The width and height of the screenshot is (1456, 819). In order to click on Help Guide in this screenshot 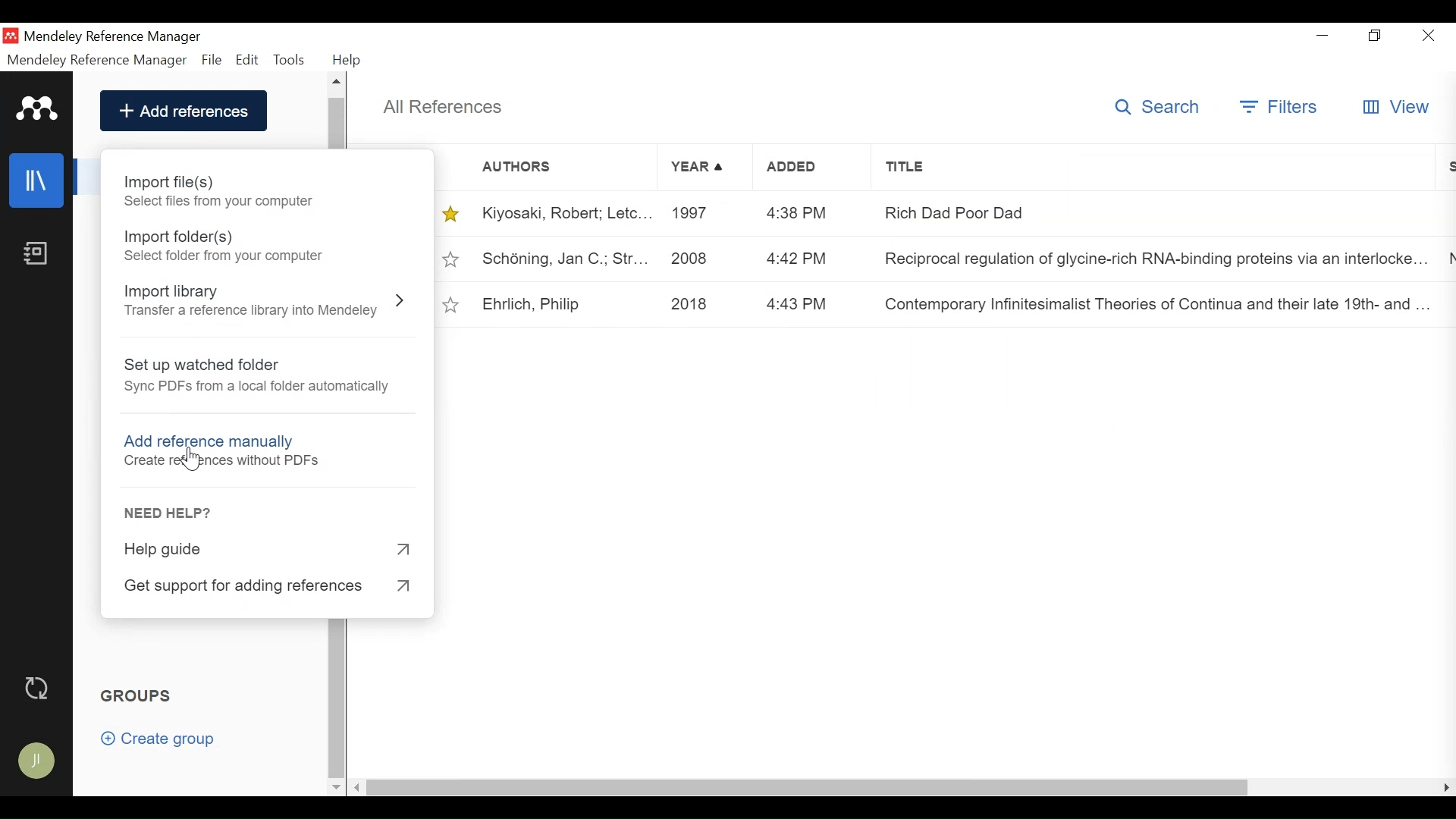, I will do `click(266, 547)`.